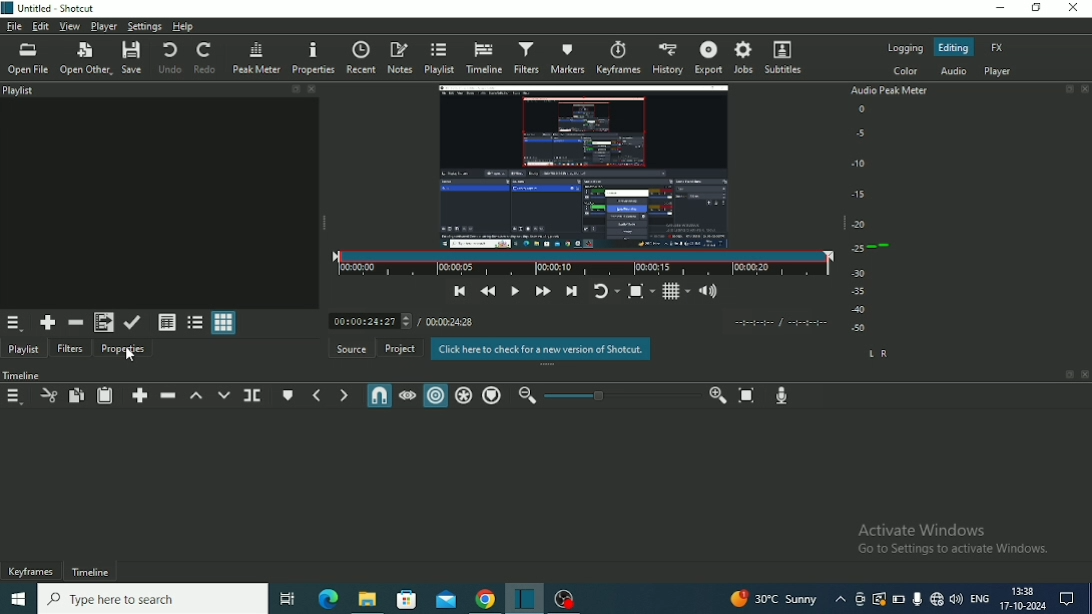 The width and height of the screenshot is (1092, 614). I want to click on Audio Peak Meter, so click(891, 221).